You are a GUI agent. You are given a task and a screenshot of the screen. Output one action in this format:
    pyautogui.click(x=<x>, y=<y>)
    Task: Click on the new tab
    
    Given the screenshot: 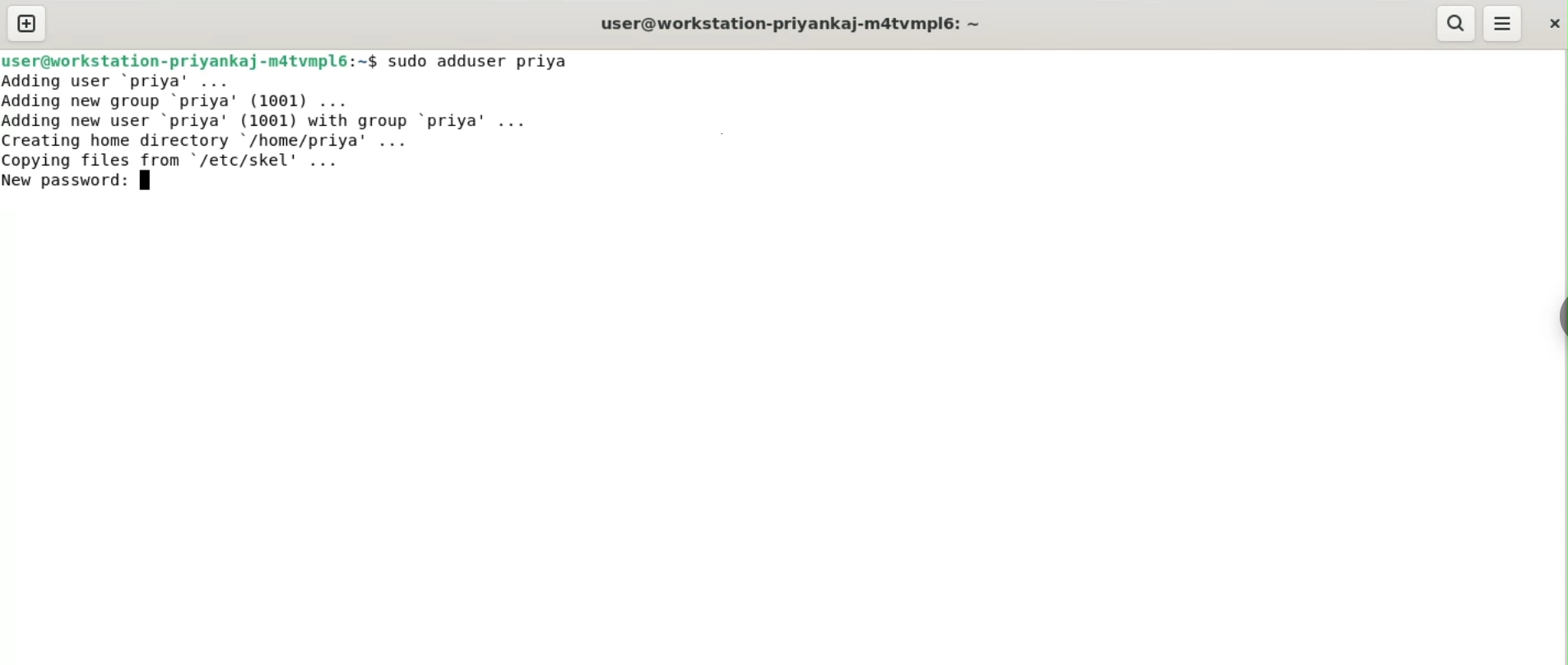 What is the action you would take?
    pyautogui.click(x=27, y=23)
    